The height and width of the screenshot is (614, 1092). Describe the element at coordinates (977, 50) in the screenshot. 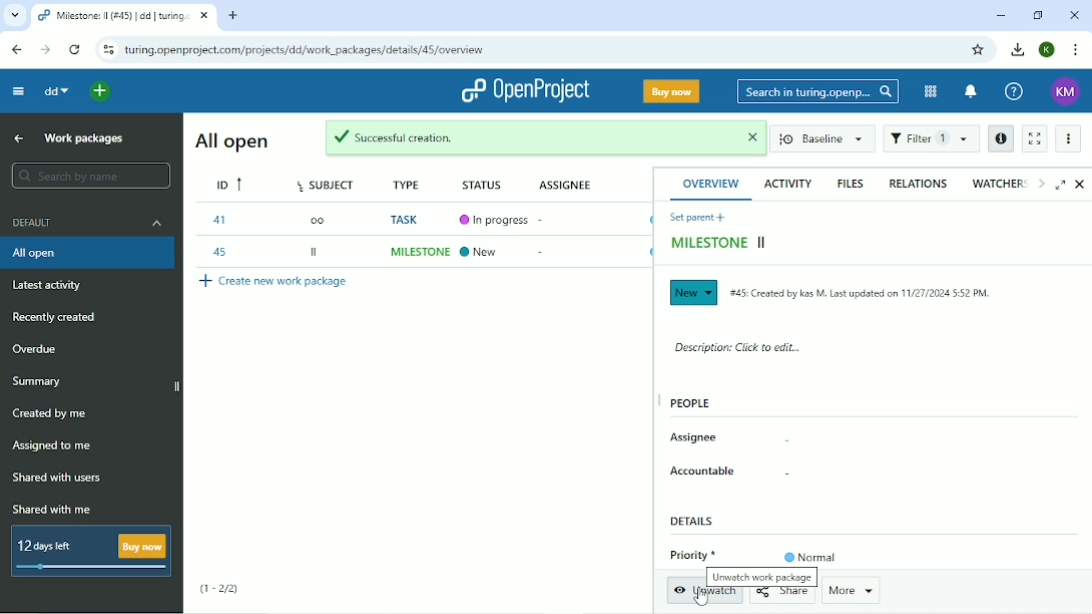

I see `Bookmark this tab` at that location.